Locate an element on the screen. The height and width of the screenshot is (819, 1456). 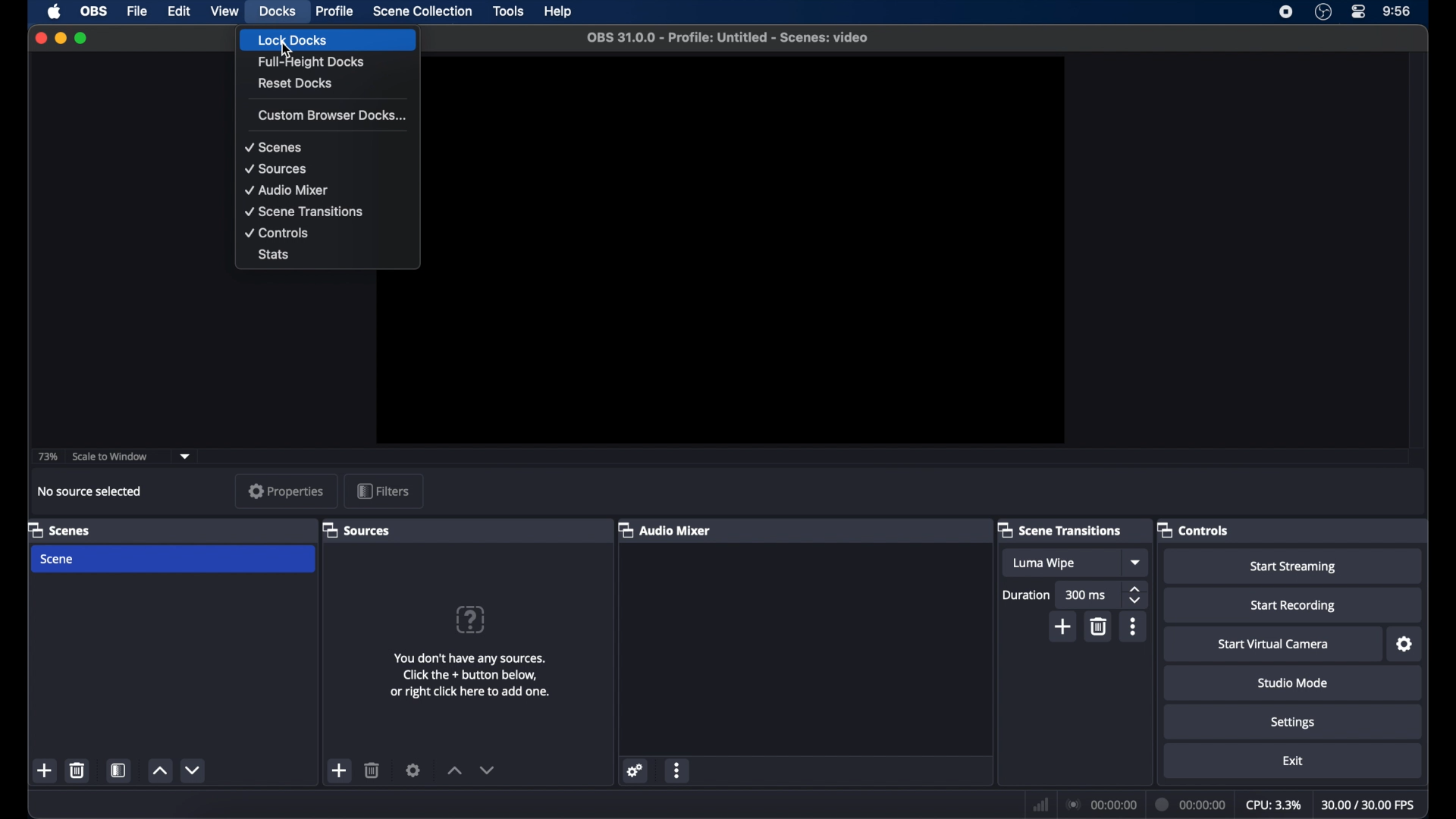
scenes is located at coordinates (274, 148).